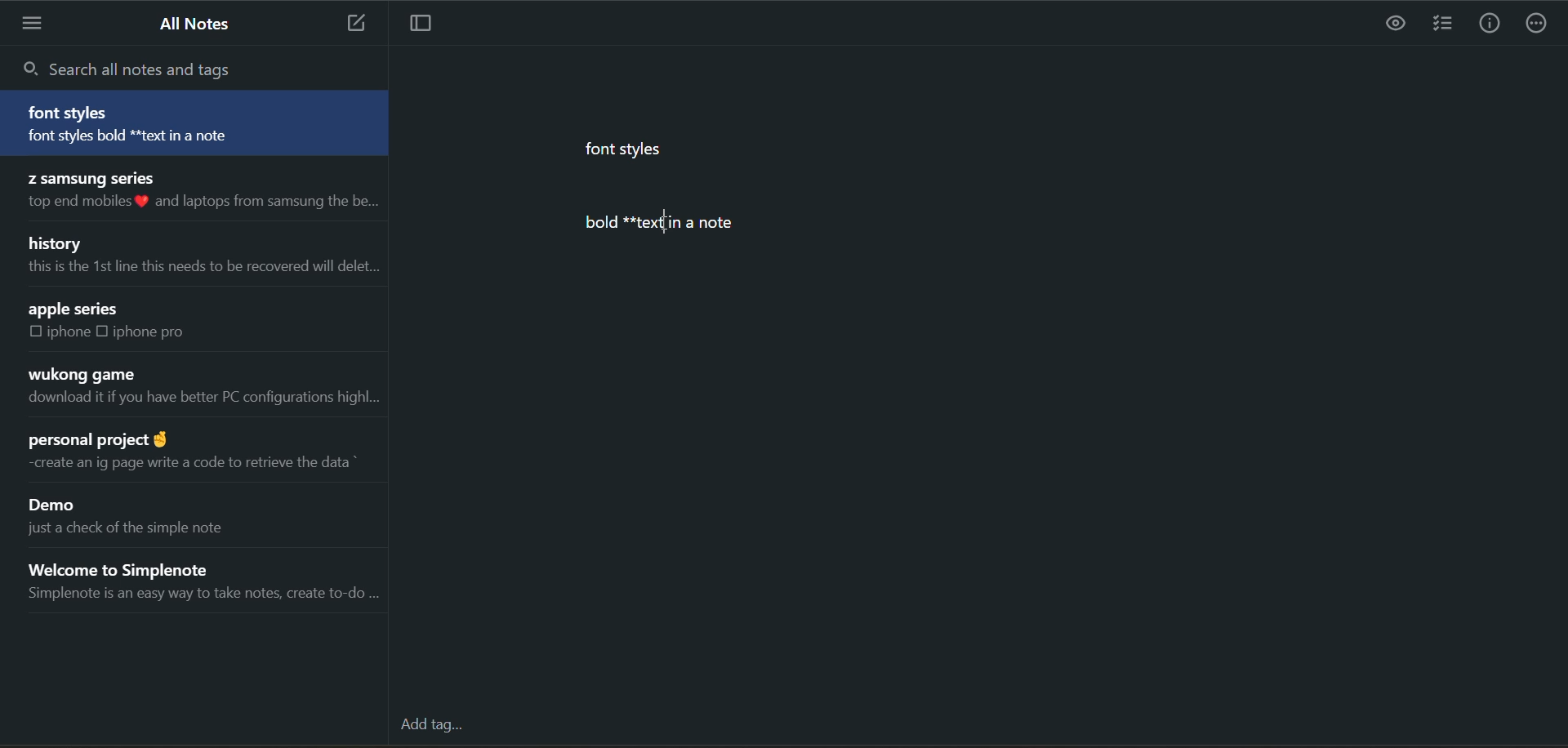 The height and width of the screenshot is (748, 1568). I want to click on iphone pro, so click(150, 332).